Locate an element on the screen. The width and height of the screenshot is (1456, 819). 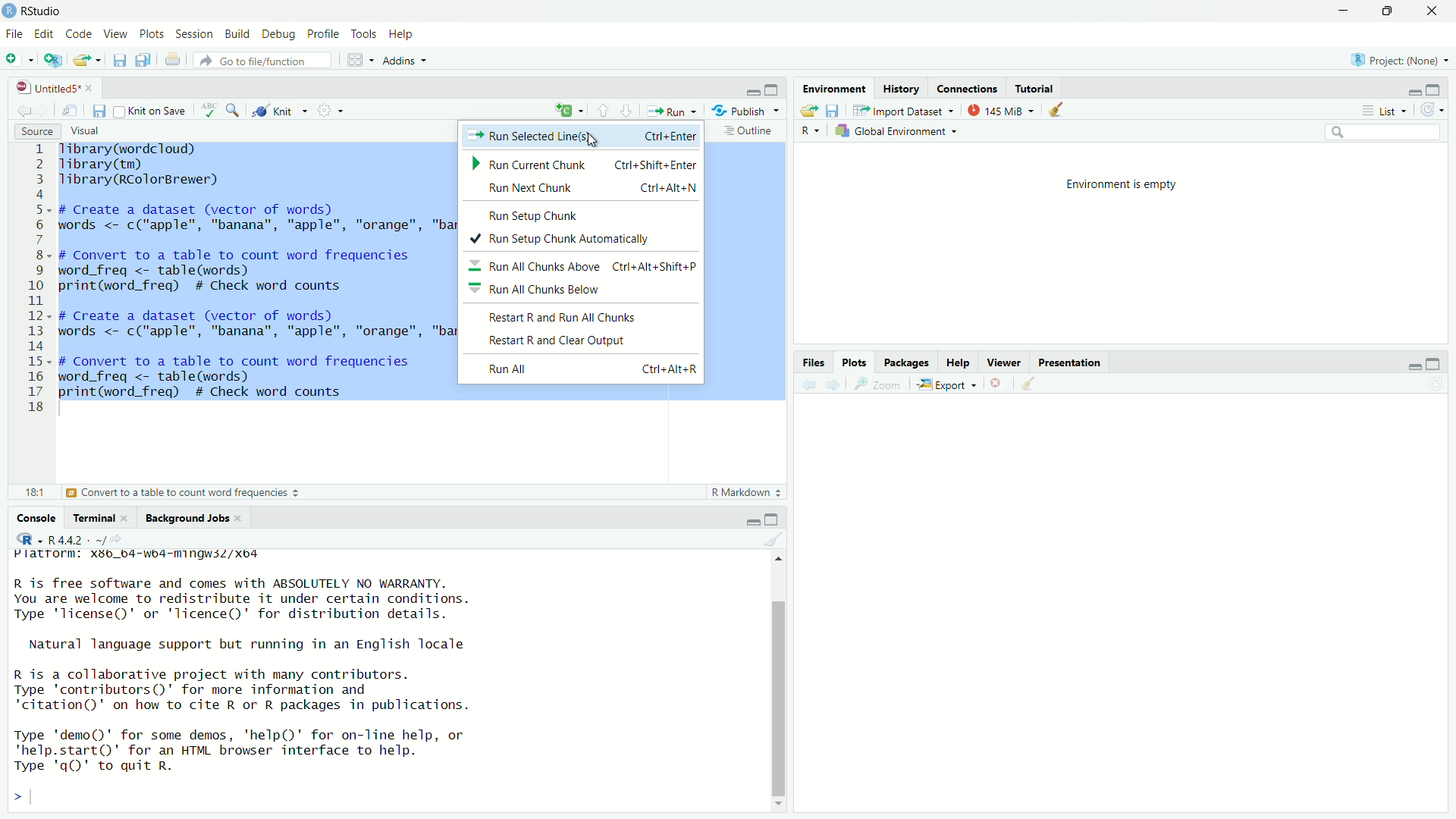
Go back to the previous Source location is located at coordinates (23, 111).